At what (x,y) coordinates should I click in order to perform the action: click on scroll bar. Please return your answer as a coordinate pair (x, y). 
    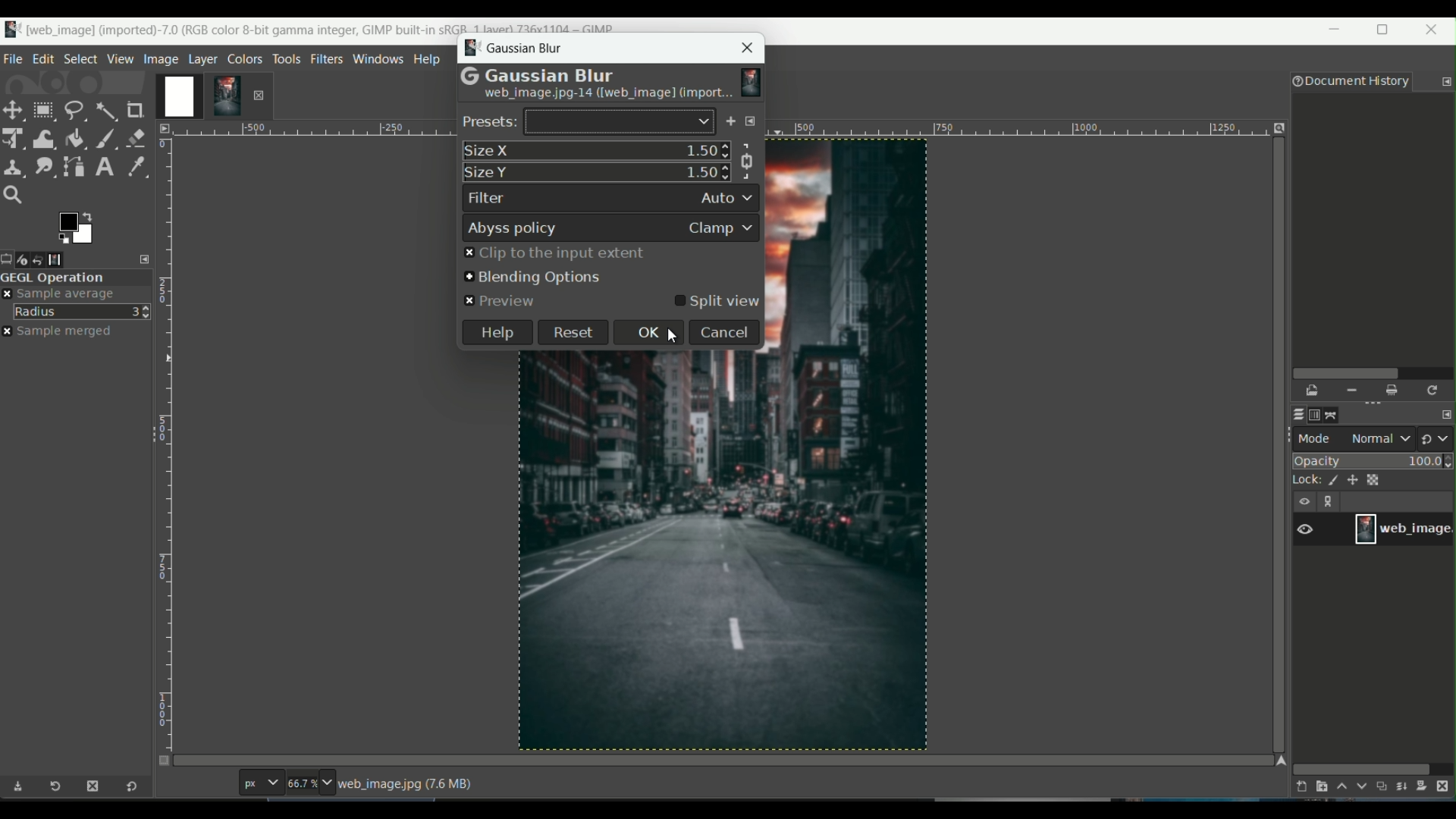
    Looking at the image, I should click on (1370, 372).